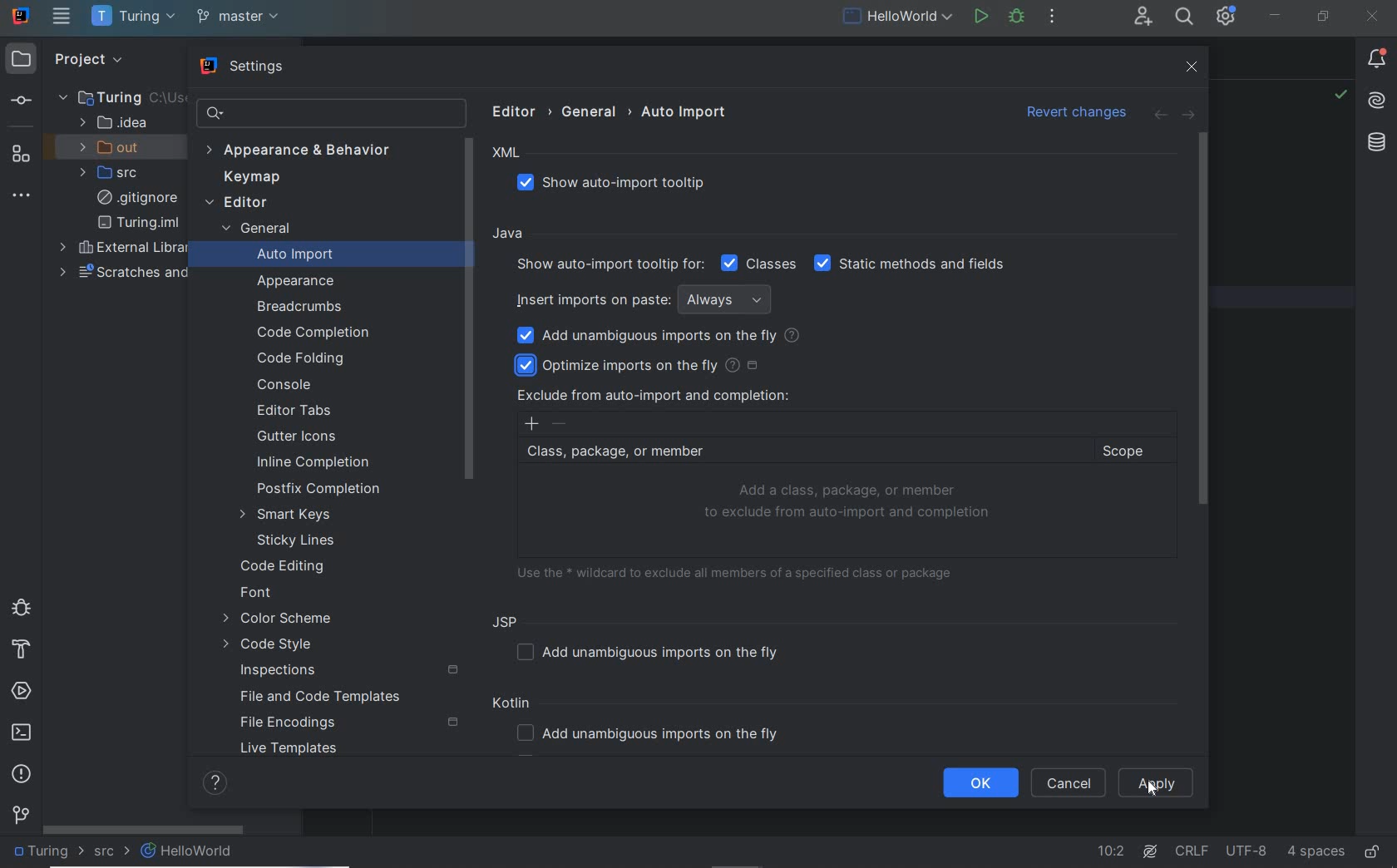  Describe the element at coordinates (299, 437) in the screenshot. I see `GUTTER ICONS` at that location.